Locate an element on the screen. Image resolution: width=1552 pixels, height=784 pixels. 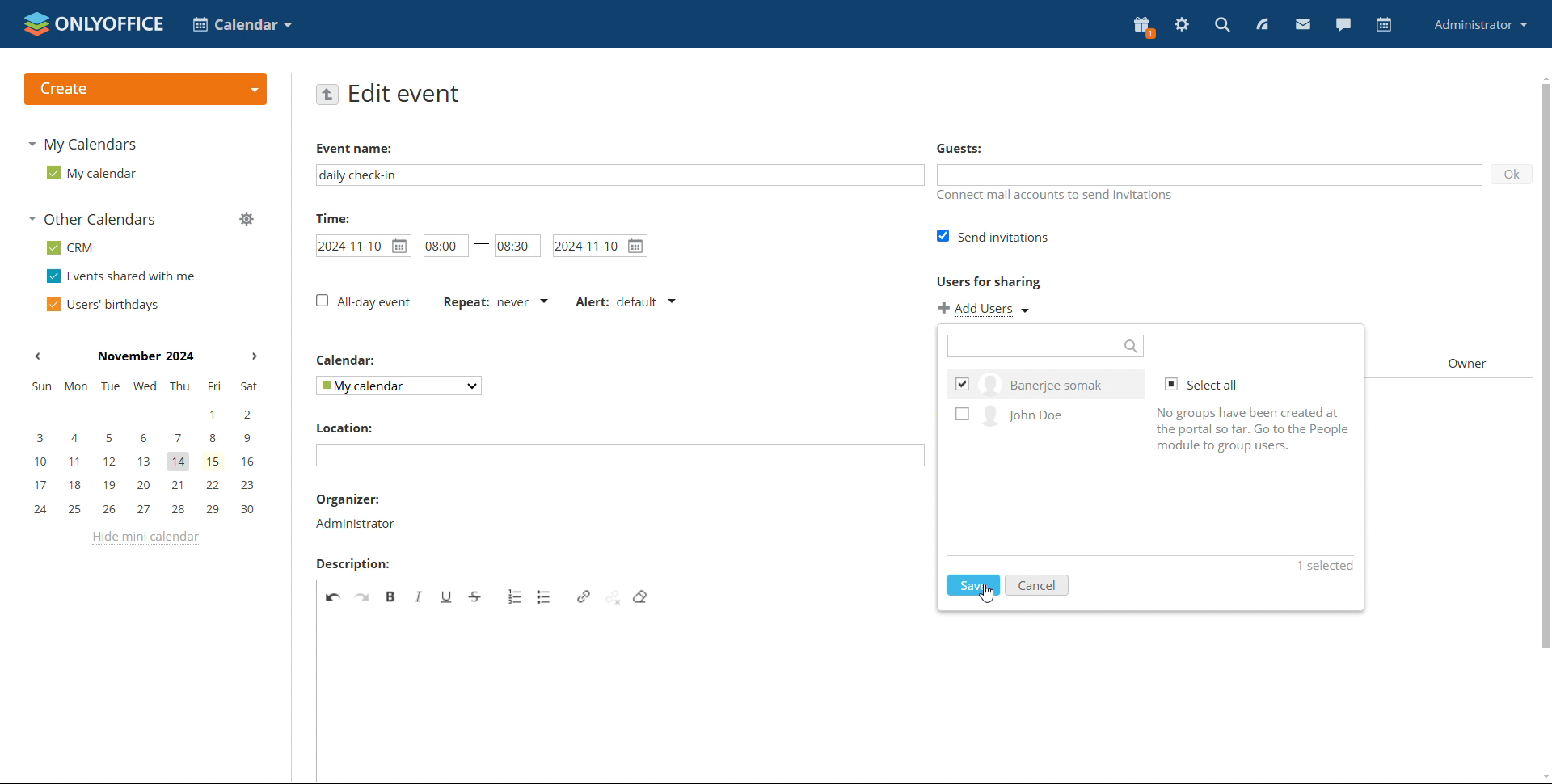
start date is located at coordinates (364, 246).